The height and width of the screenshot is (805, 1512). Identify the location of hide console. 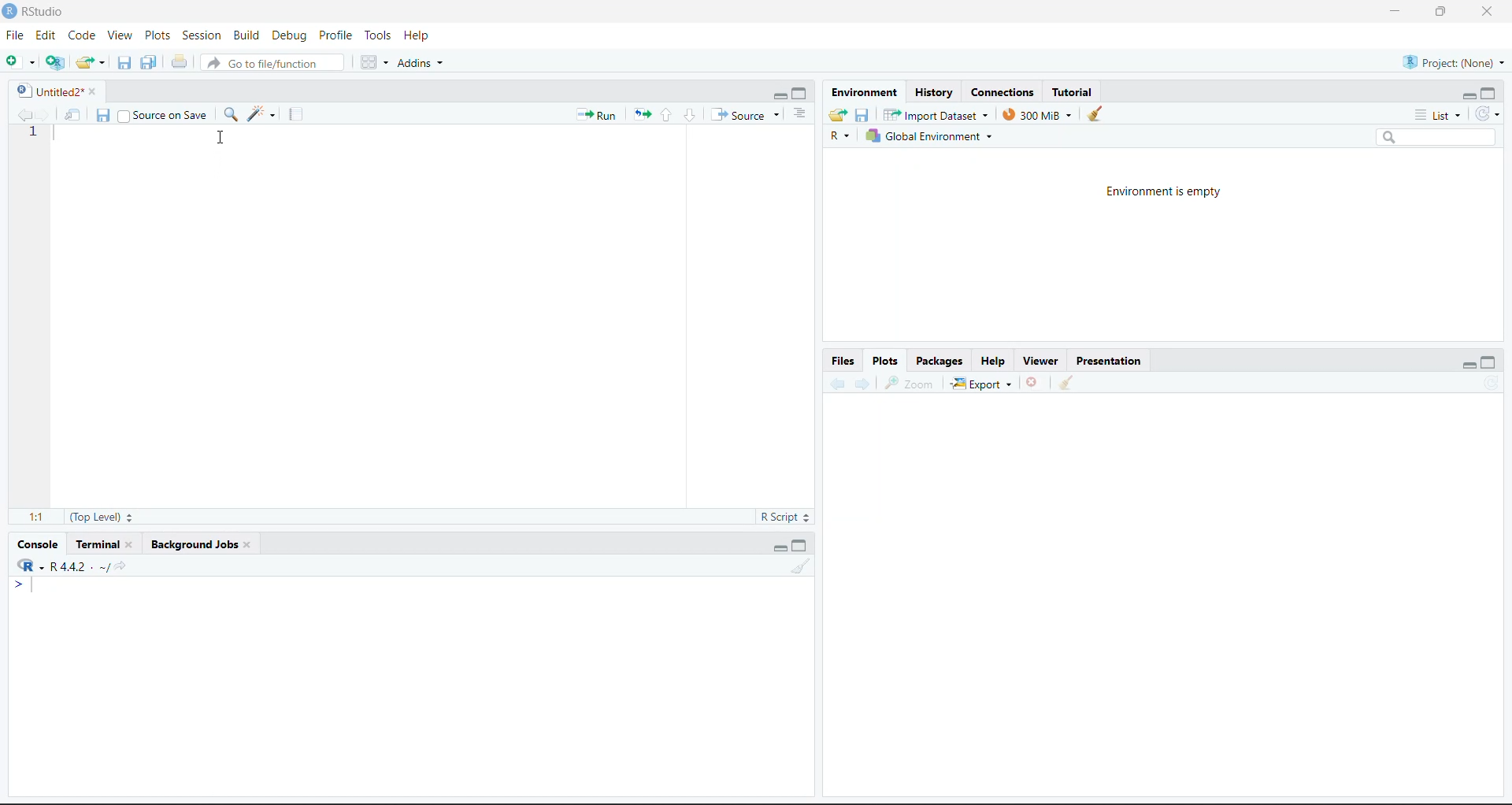
(1491, 94).